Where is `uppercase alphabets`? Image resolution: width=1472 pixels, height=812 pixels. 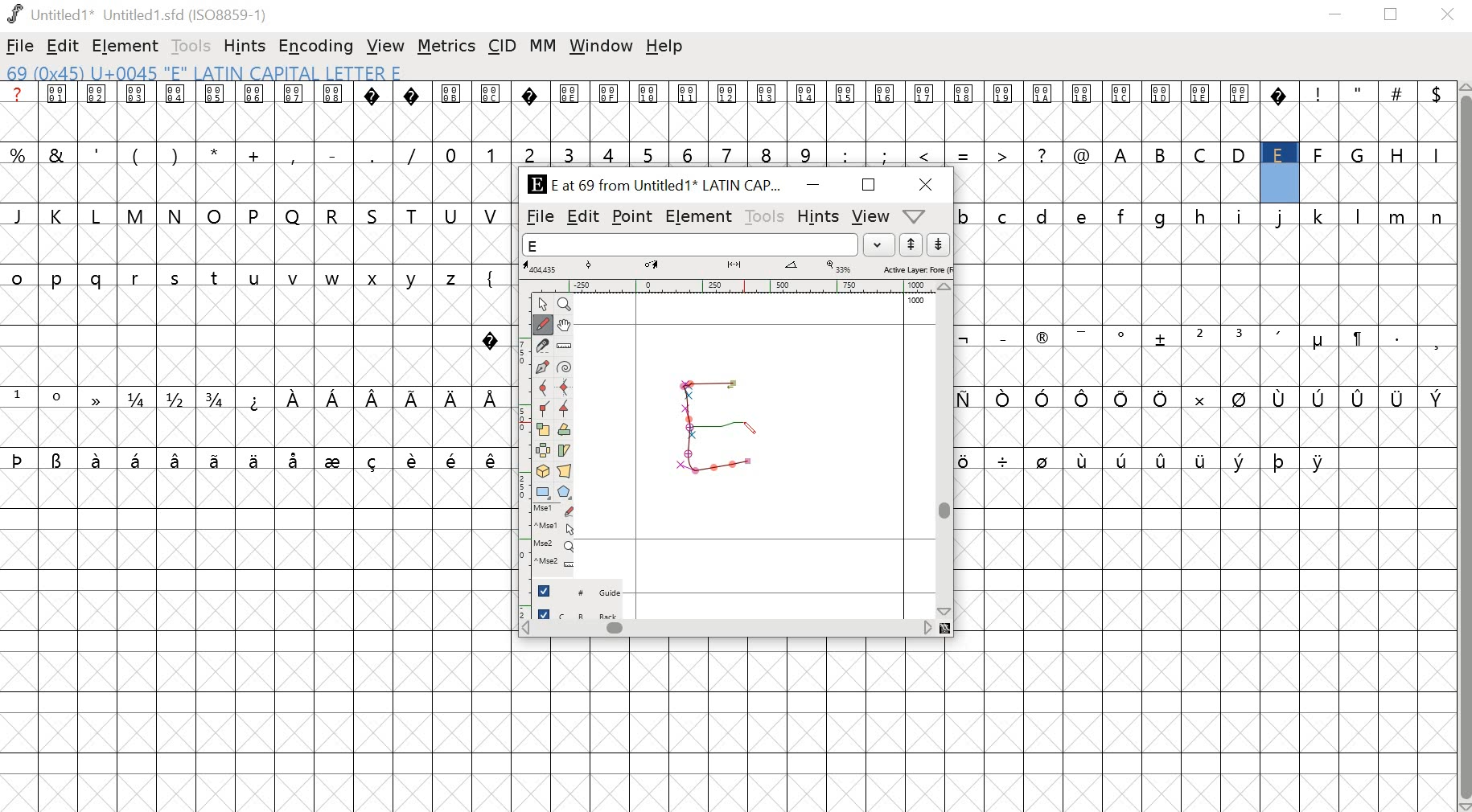
uppercase alphabets is located at coordinates (1278, 153).